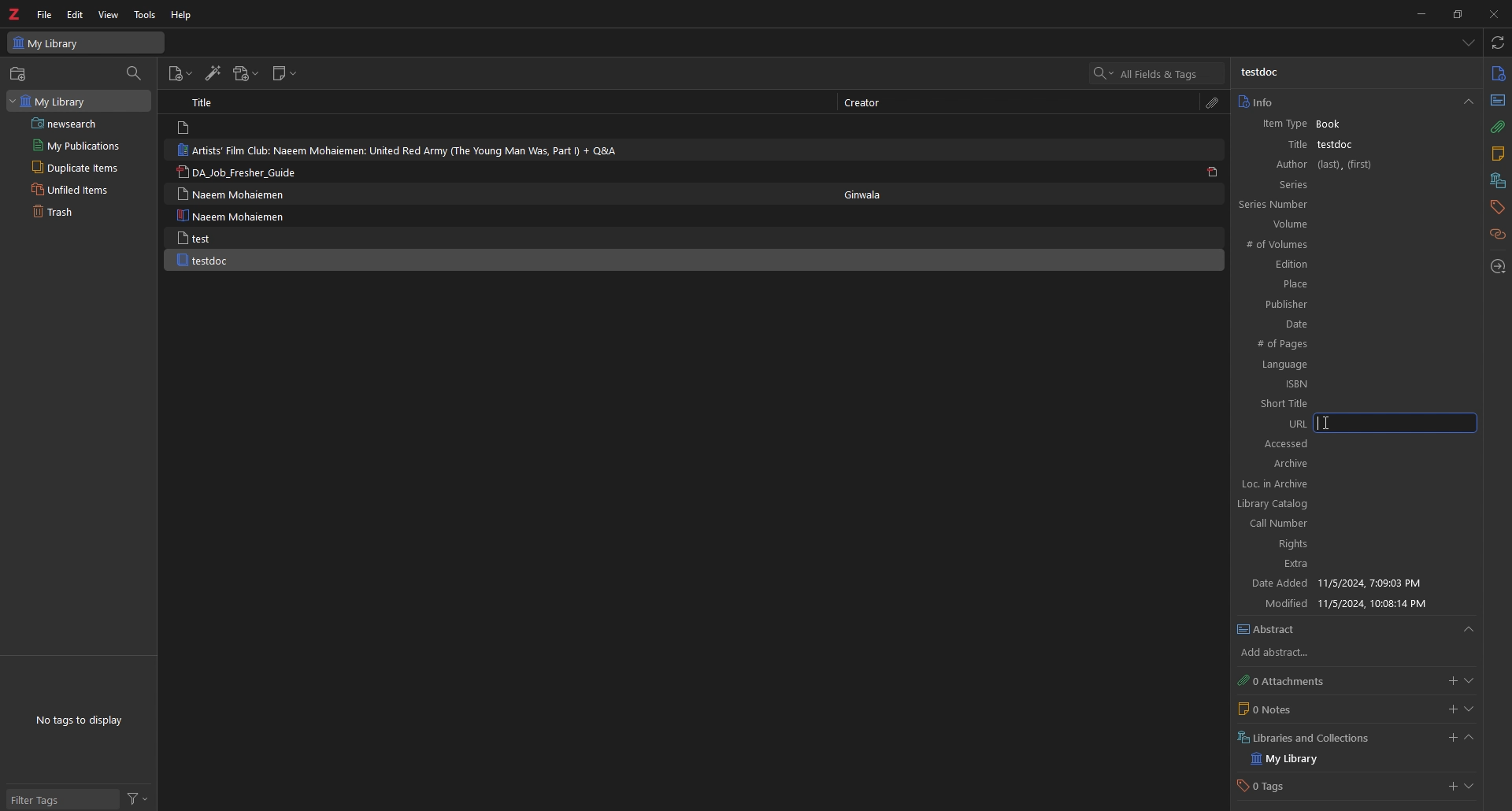  What do you see at coordinates (1268, 74) in the screenshot?
I see `testdoc` at bounding box center [1268, 74].